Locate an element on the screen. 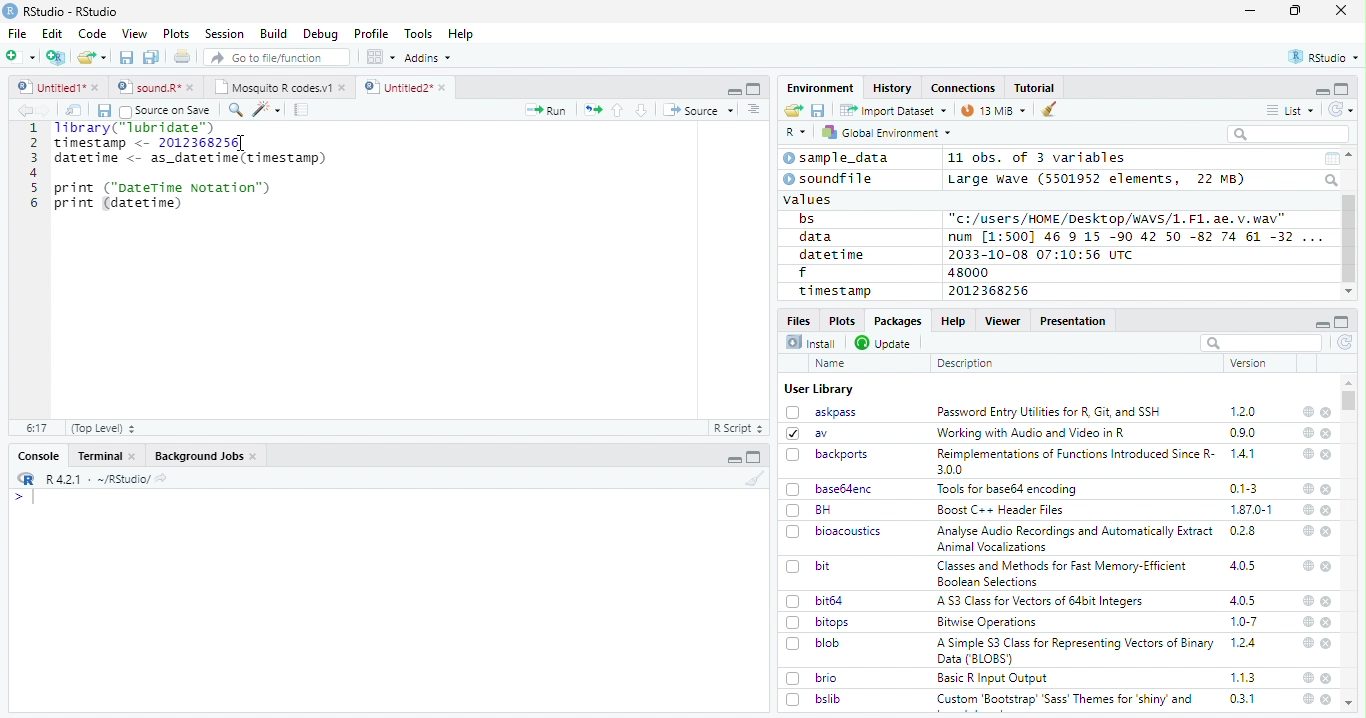 This screenshot has width=1366, height=718. Compile report is located at coordinates (302, 110).